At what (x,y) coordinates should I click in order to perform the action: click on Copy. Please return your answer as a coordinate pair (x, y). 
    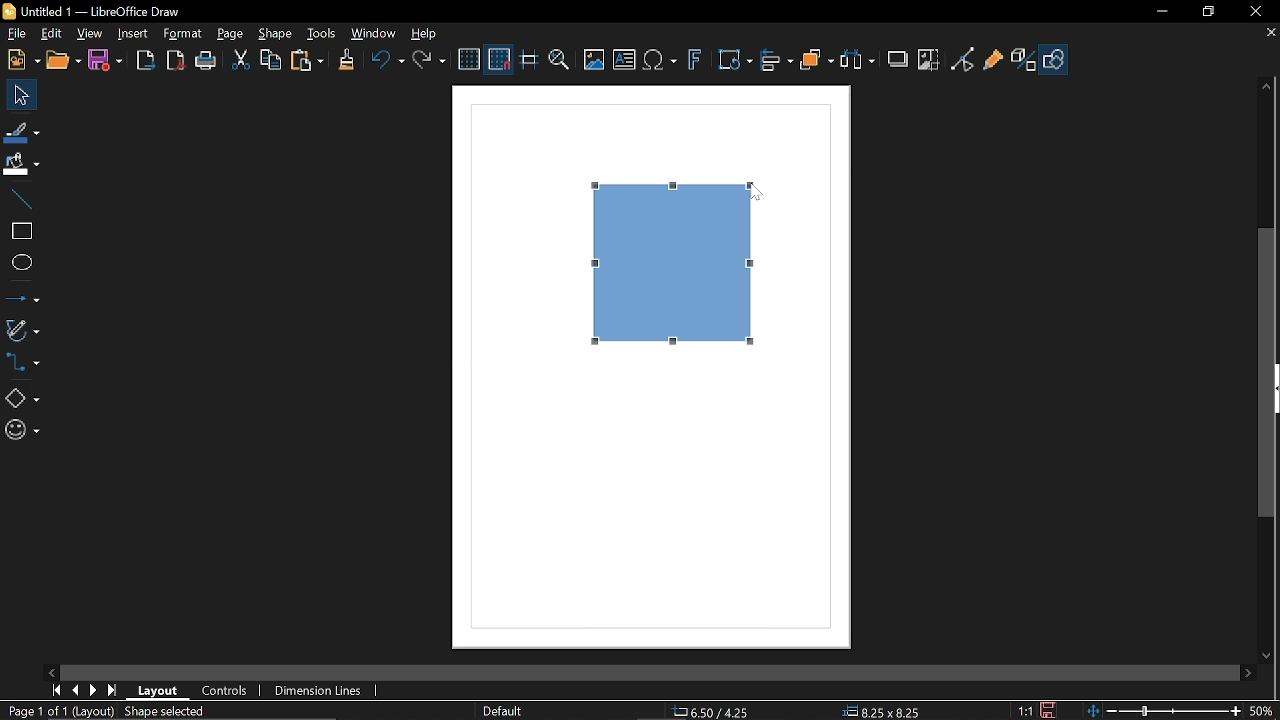
    Looking at the image, I should click on (272, 61).